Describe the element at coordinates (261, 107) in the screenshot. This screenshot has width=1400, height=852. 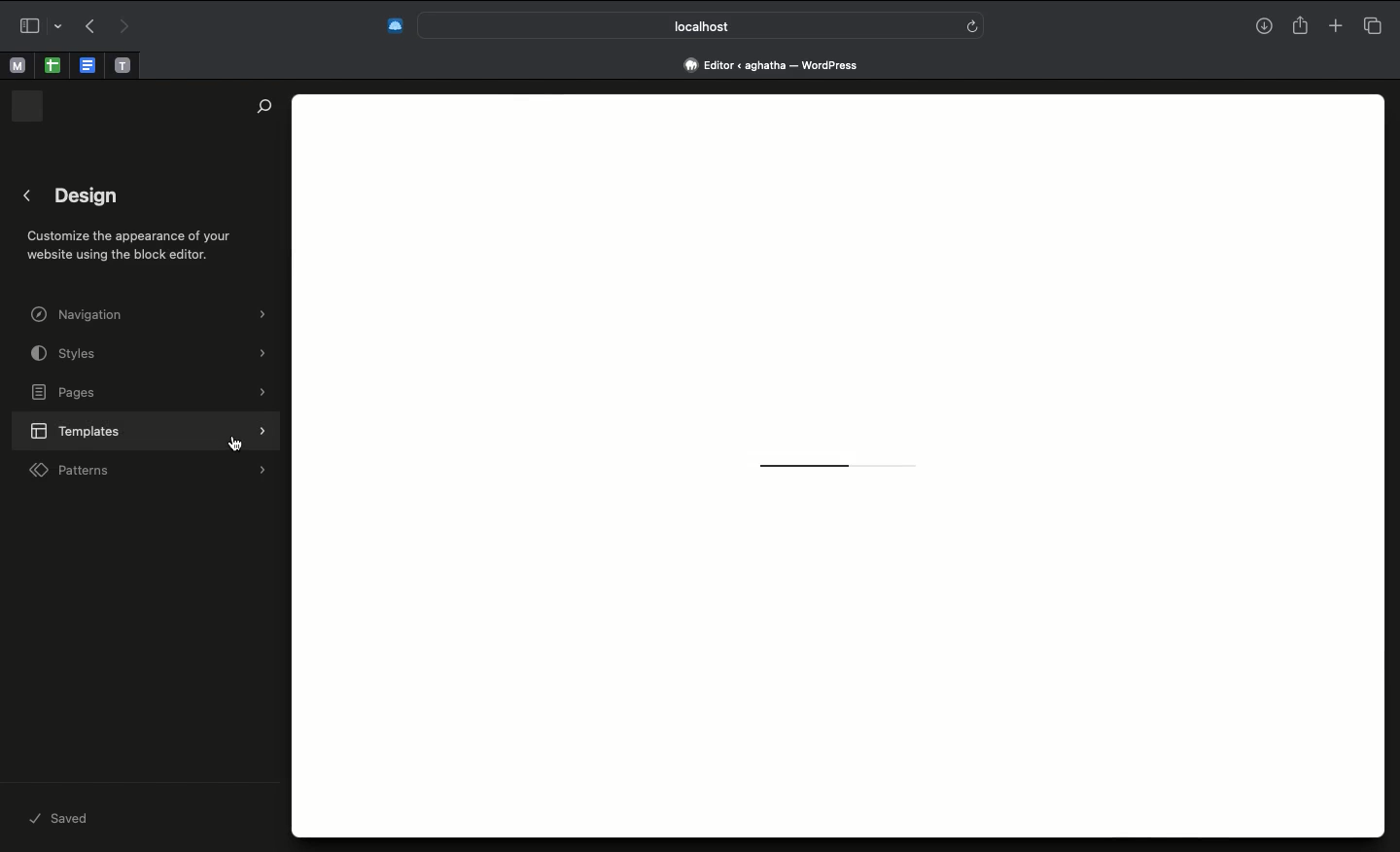
I see `Search` at that location.